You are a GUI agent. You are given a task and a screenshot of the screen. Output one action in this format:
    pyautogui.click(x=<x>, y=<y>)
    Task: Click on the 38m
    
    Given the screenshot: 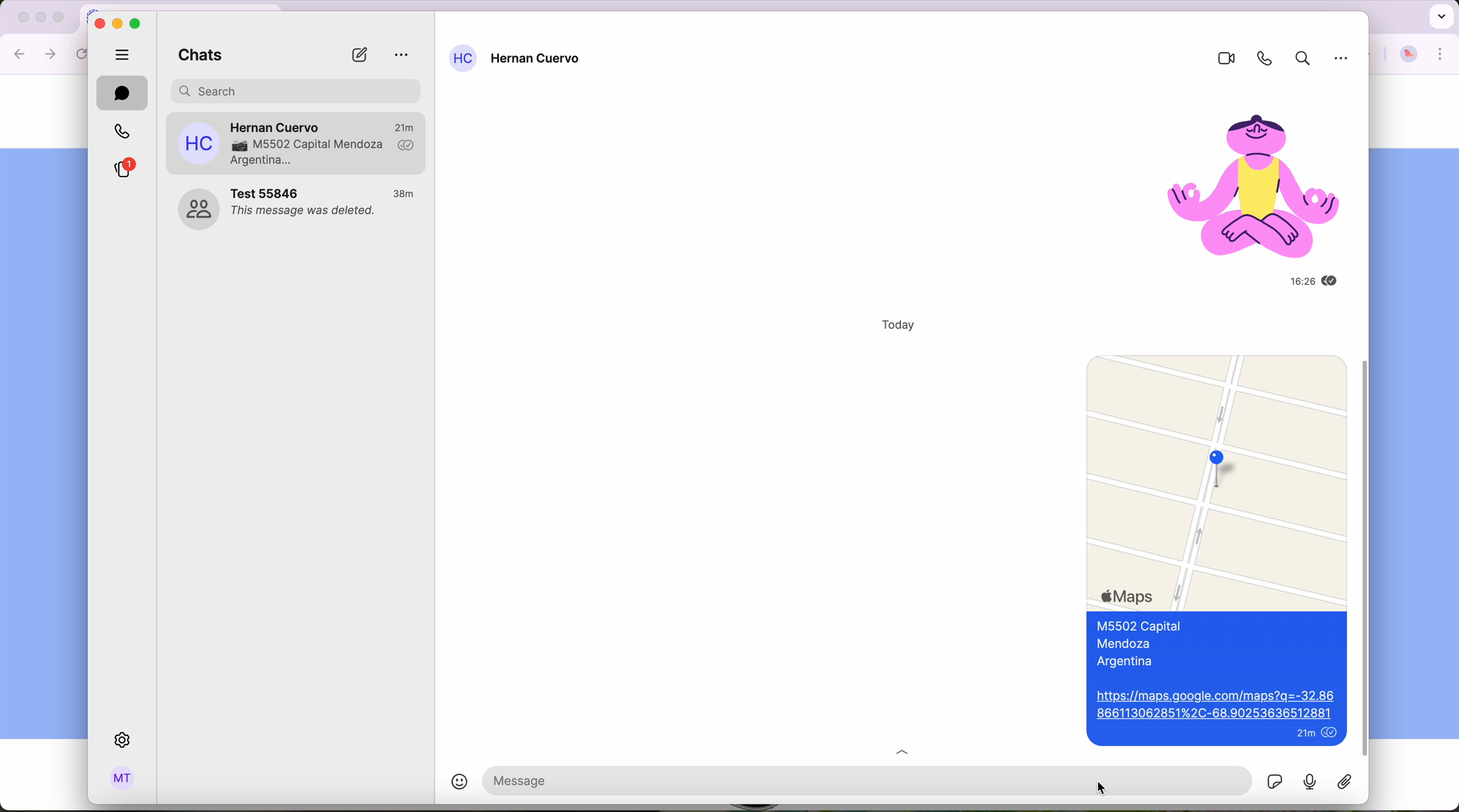 What is the action you would take?
    pyautogui.click(x=405, y=194)
    